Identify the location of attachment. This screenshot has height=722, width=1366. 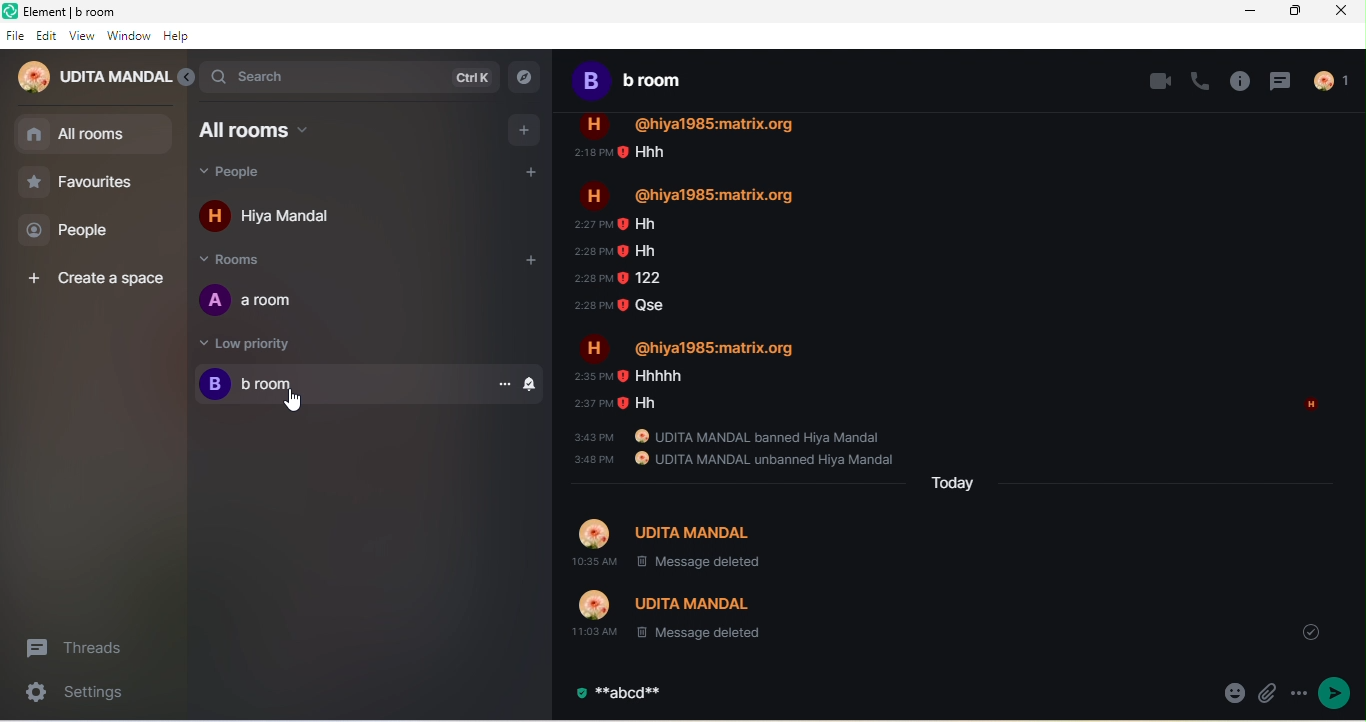
(1265, 695).